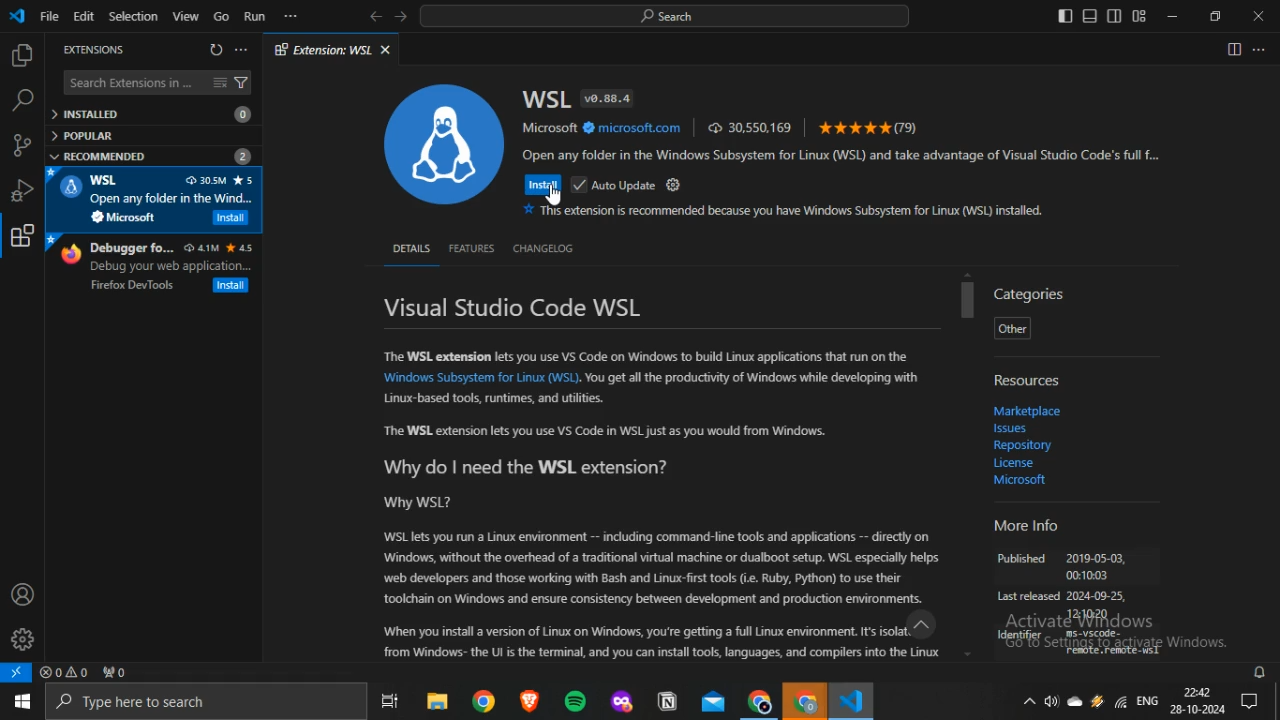 Image resolution: width=1280 pixels, height=720 pixels. What do you see at coordinates (750, 126) in the screenshot?
I see `30,550,169` at bounding box center [750, 126].